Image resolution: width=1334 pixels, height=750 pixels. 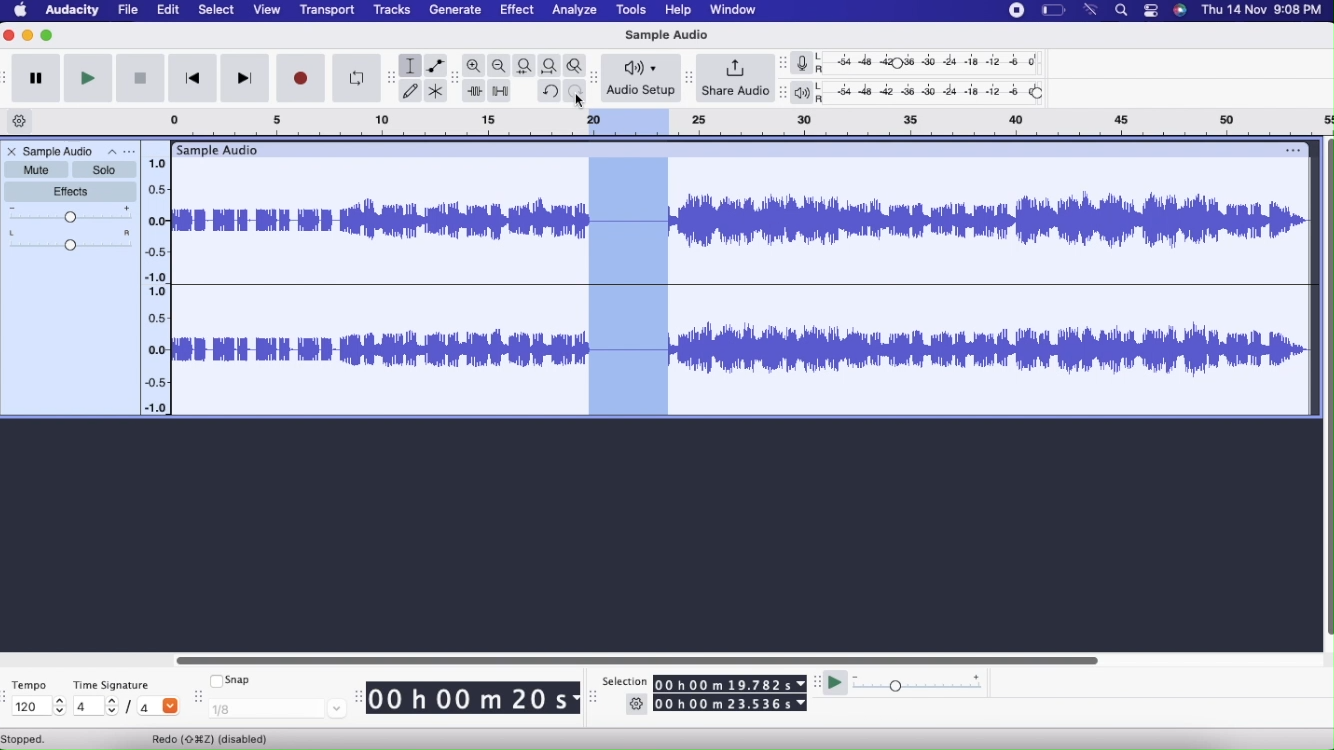 What do you see at coordinates (26, 740) in the screenshot?
I see `stopped` at bounding box center [26, 740].